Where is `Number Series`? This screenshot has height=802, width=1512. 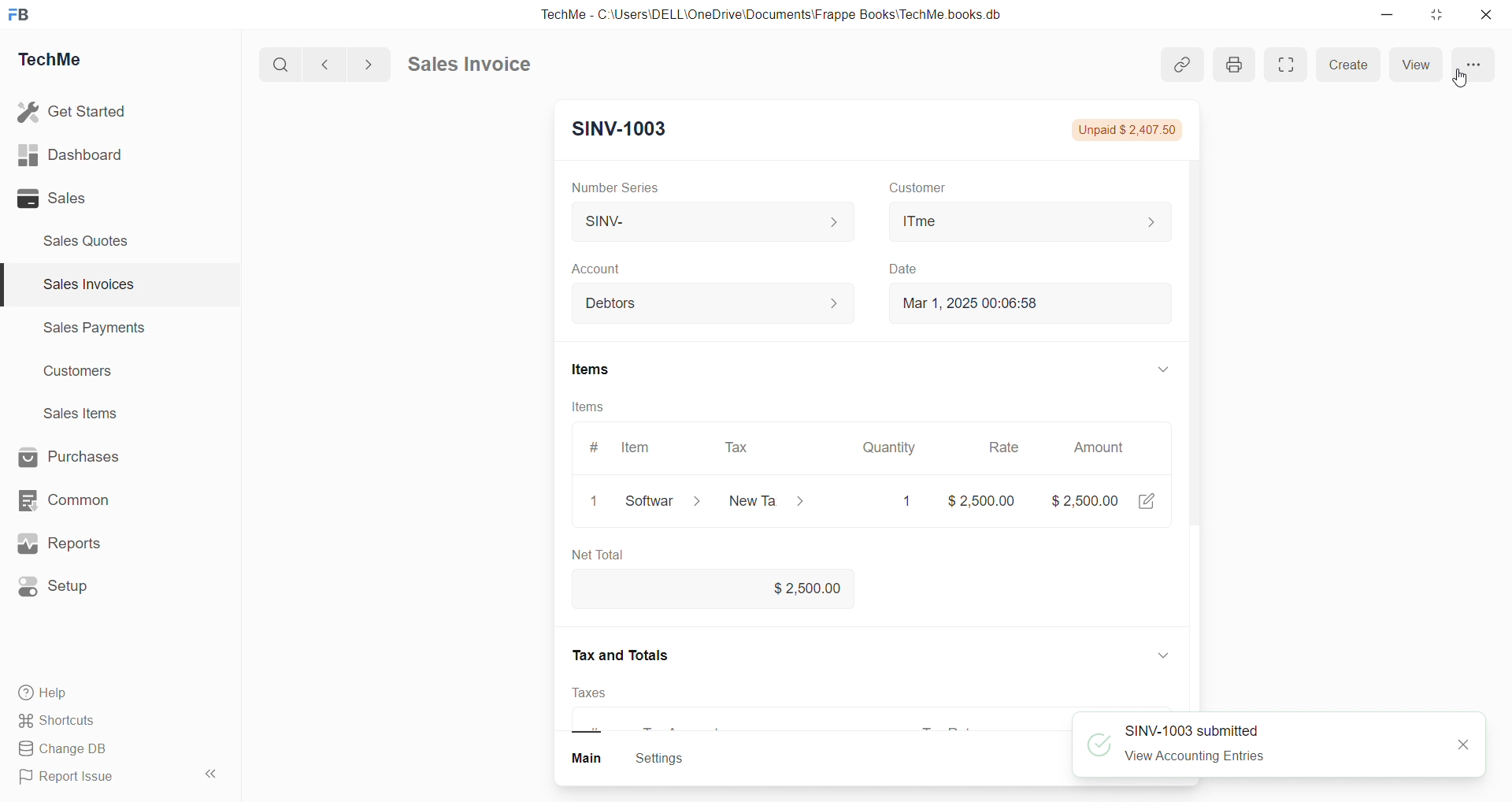 Number Series is located at coordinates (621, 186).